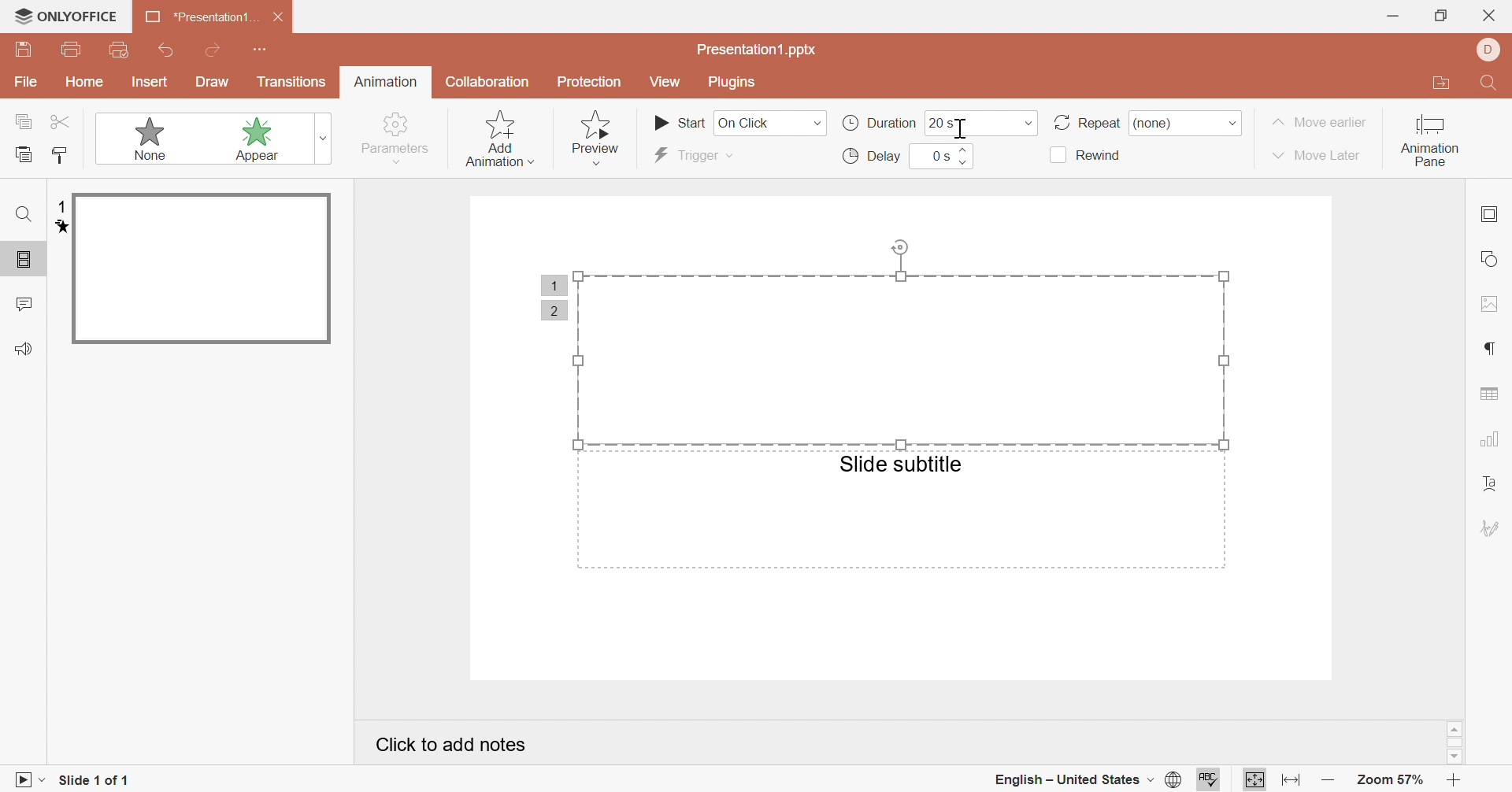  Describe the element at coordinates (138, 138) in the screenshot. I see `none` at that location.